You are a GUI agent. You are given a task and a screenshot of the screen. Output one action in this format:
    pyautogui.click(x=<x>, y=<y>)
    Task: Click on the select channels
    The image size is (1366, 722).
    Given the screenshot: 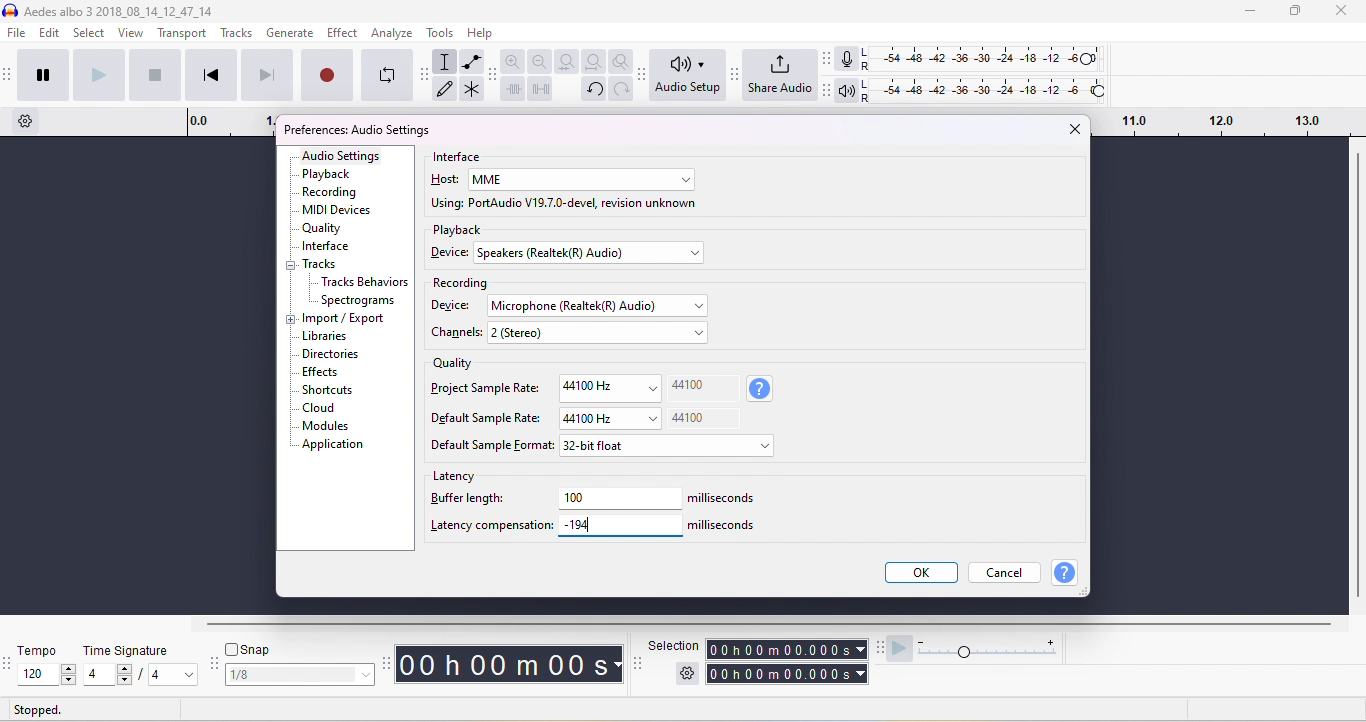 What is the action you would take?
    pyautogui.click(x=600, y=335)
    